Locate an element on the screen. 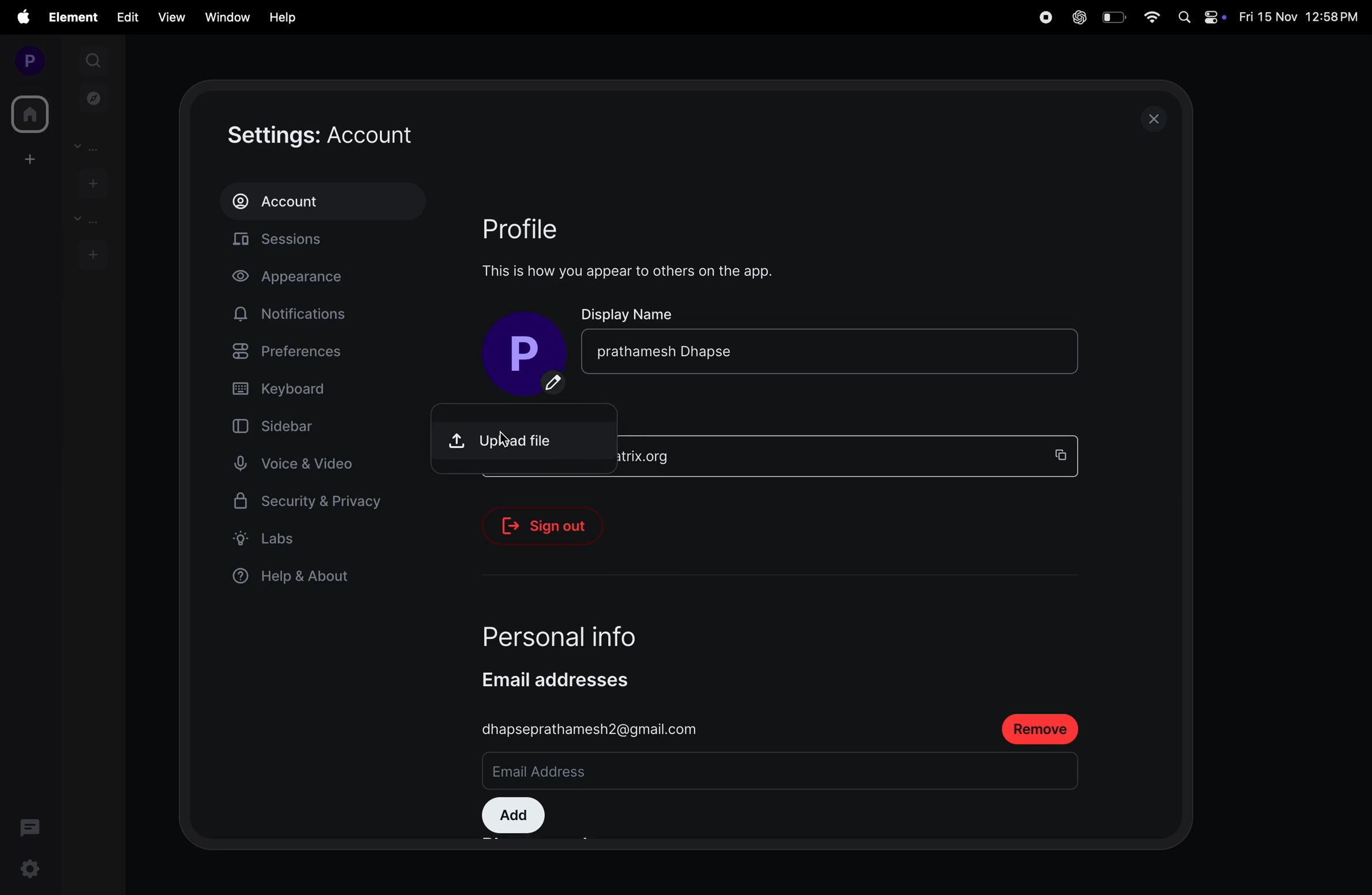 Image resolution: width=1372 pixels, height=895 pixels. email address bar is located at coordinates (642, 773).